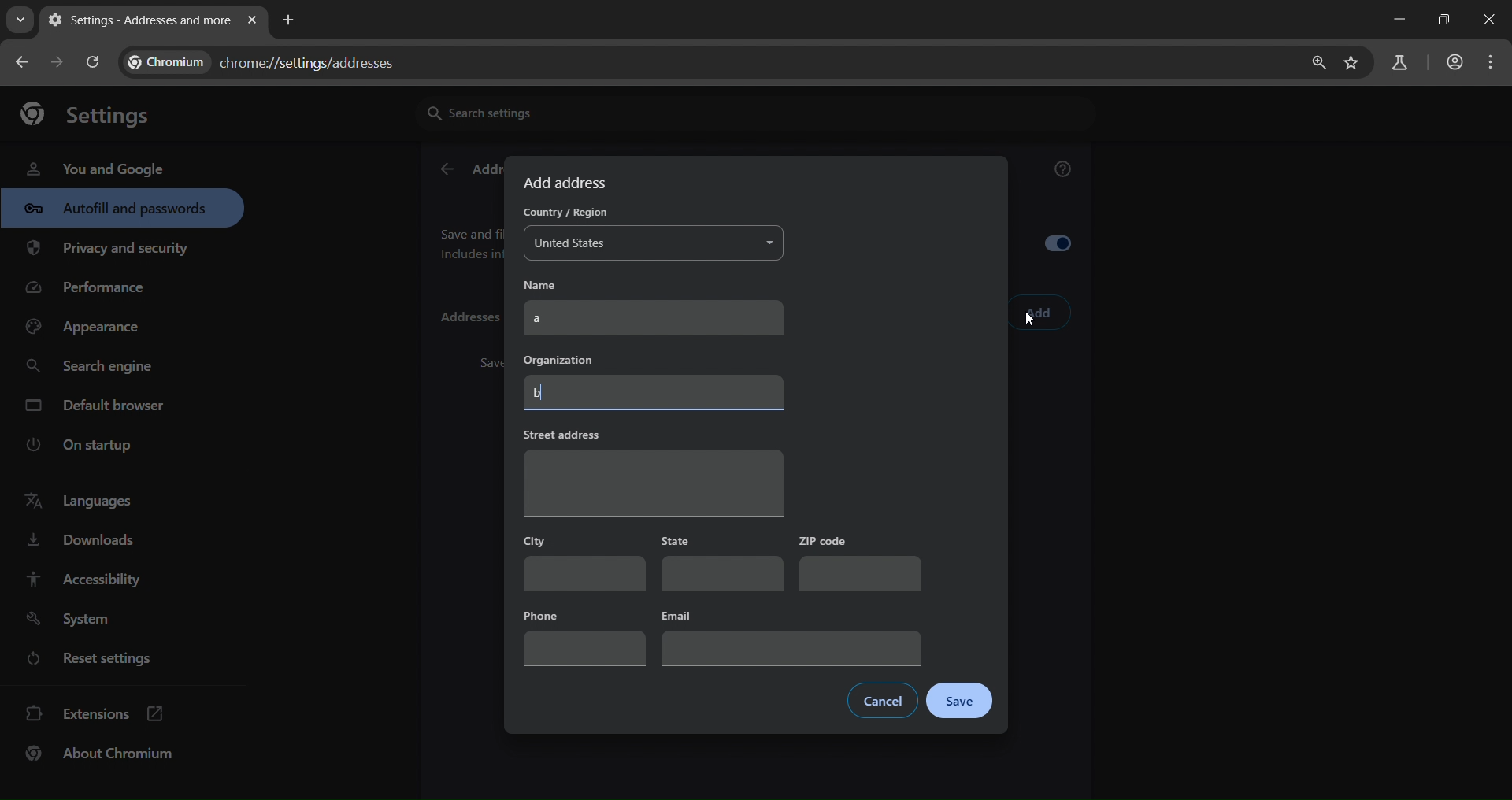 Image resolution: width=1512 pixels, height=800 pixels. What do you see at coordinates (90, 446) in the screenshot?
I see `on startup` at bounding box center [90, 446].